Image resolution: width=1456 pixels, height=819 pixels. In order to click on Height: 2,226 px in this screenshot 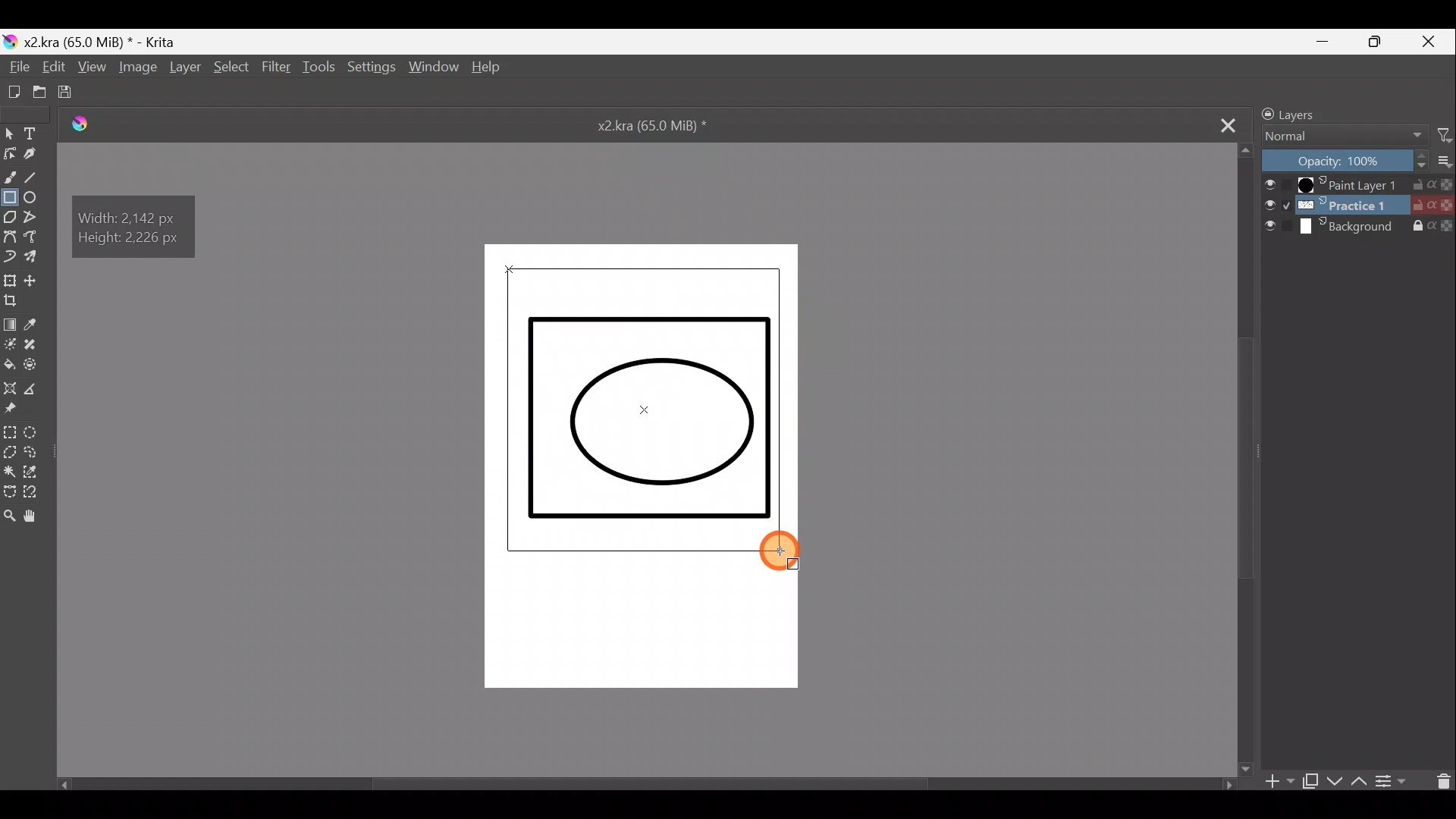, I will do `click(133, 242)`.